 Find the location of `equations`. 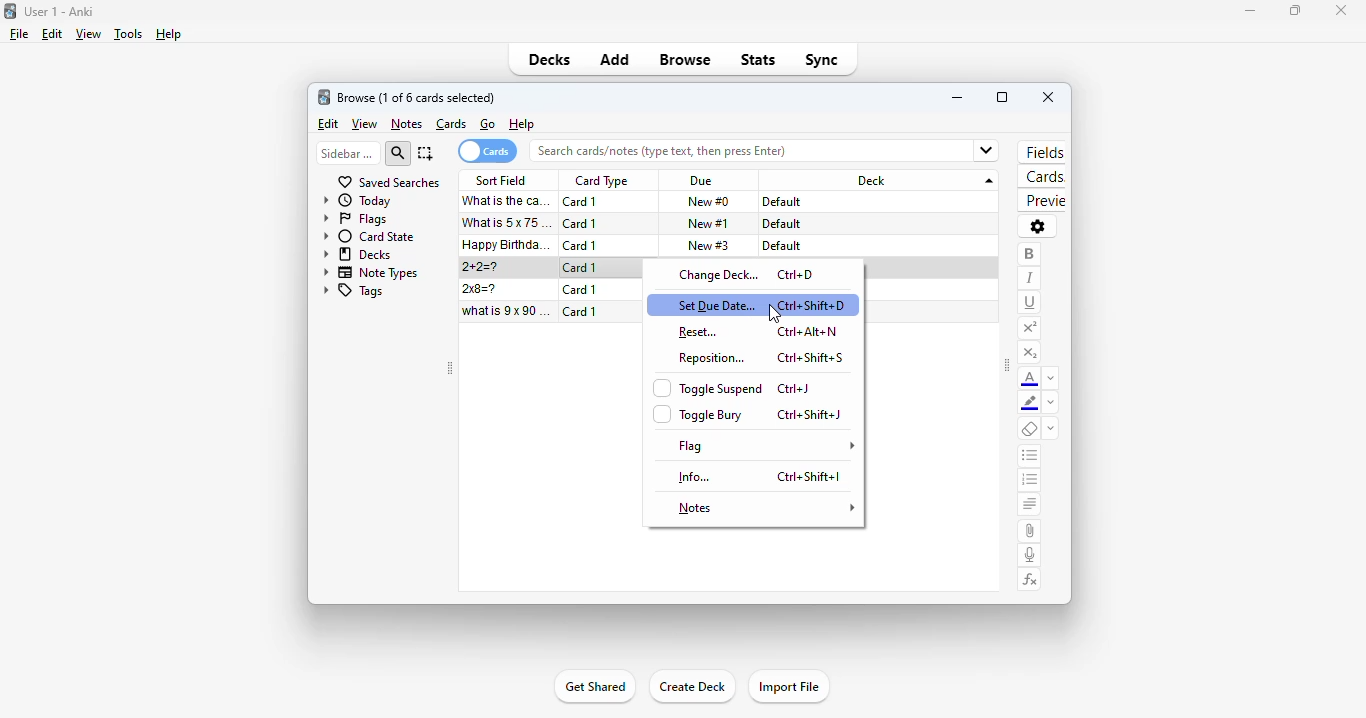

equations is located at coordinates (1031, 580).